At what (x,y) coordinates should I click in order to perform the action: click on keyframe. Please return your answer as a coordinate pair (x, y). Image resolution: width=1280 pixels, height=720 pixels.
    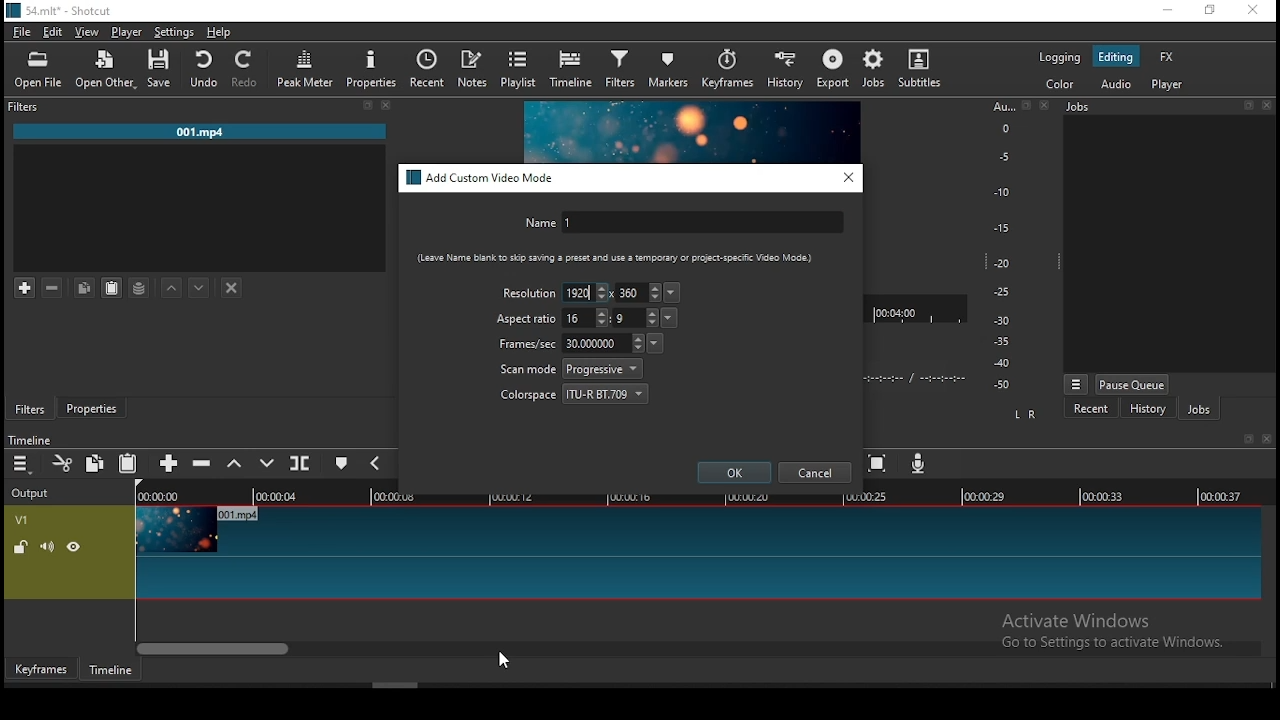
    Looking at the image, I should click on (41, 670).